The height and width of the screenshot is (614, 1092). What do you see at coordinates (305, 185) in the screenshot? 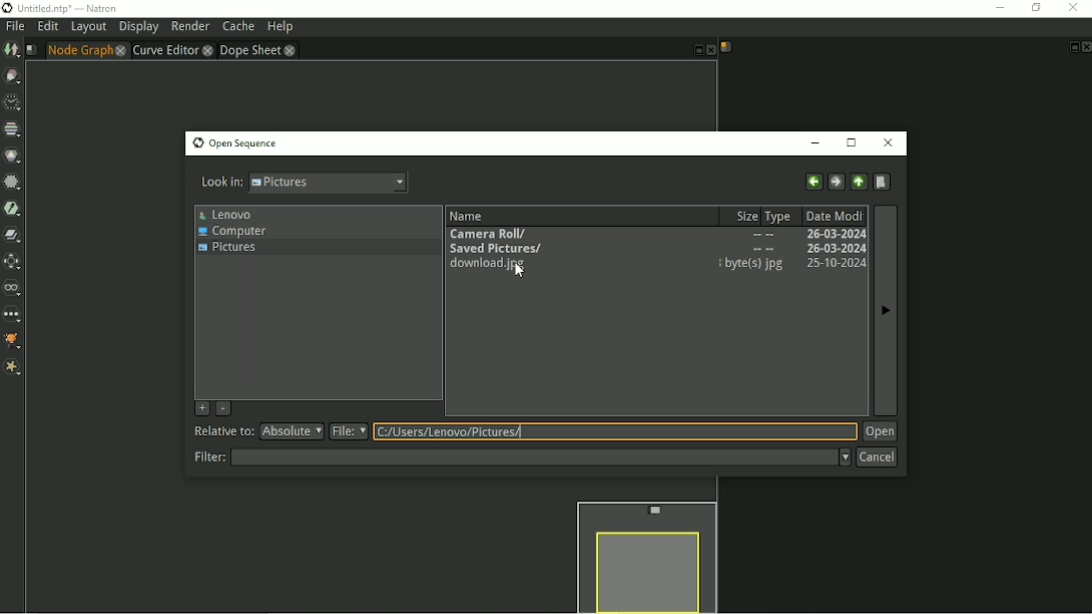
I see `Look in` at bounding box center [305, 185].